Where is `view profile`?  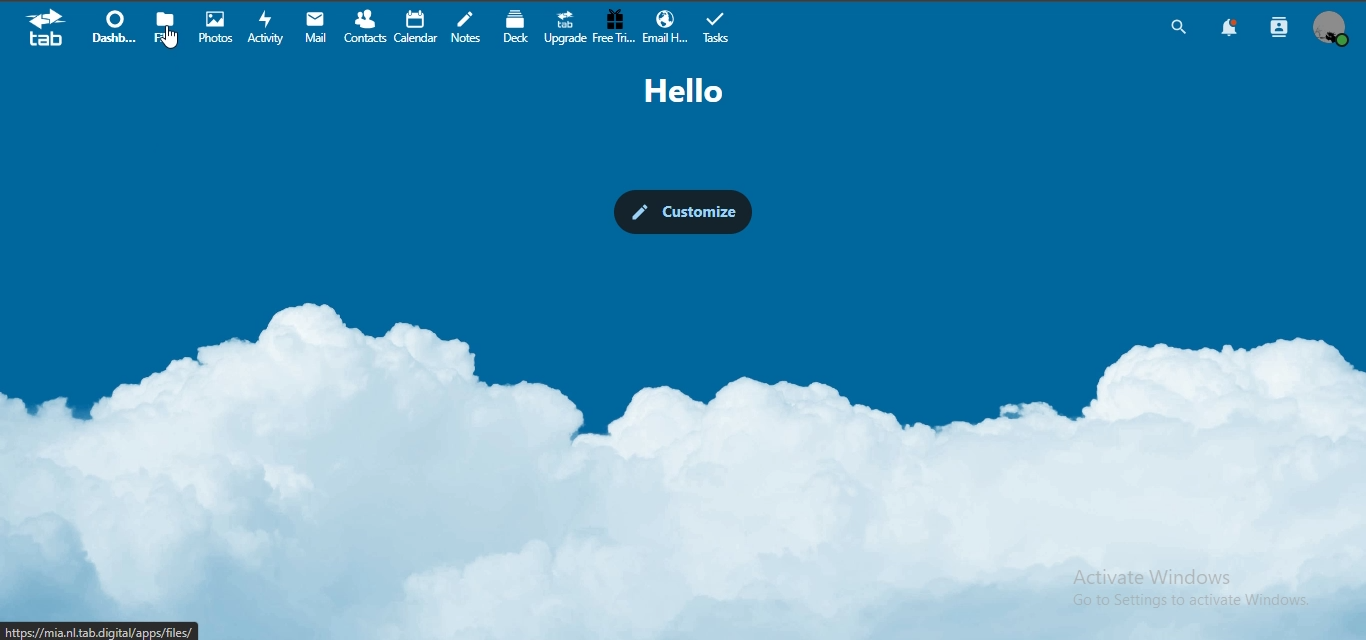
view profile is located at coordinates (1334, 27).